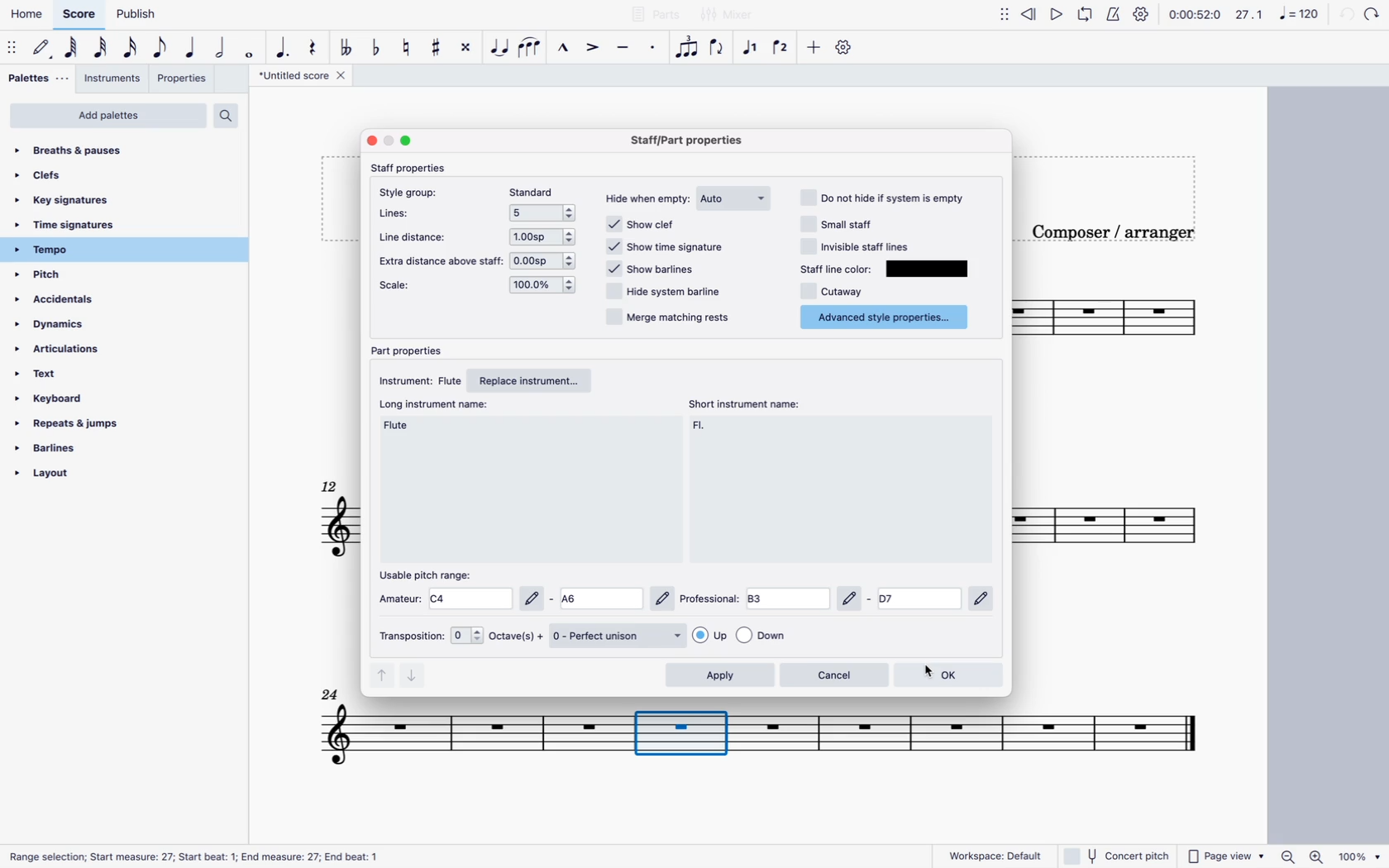 The height and width of the screenshot is (868, 1389). What do you see at coordinates (65, 180) in the screenshot?
I see `clefs` at bounding box center [65, 180].